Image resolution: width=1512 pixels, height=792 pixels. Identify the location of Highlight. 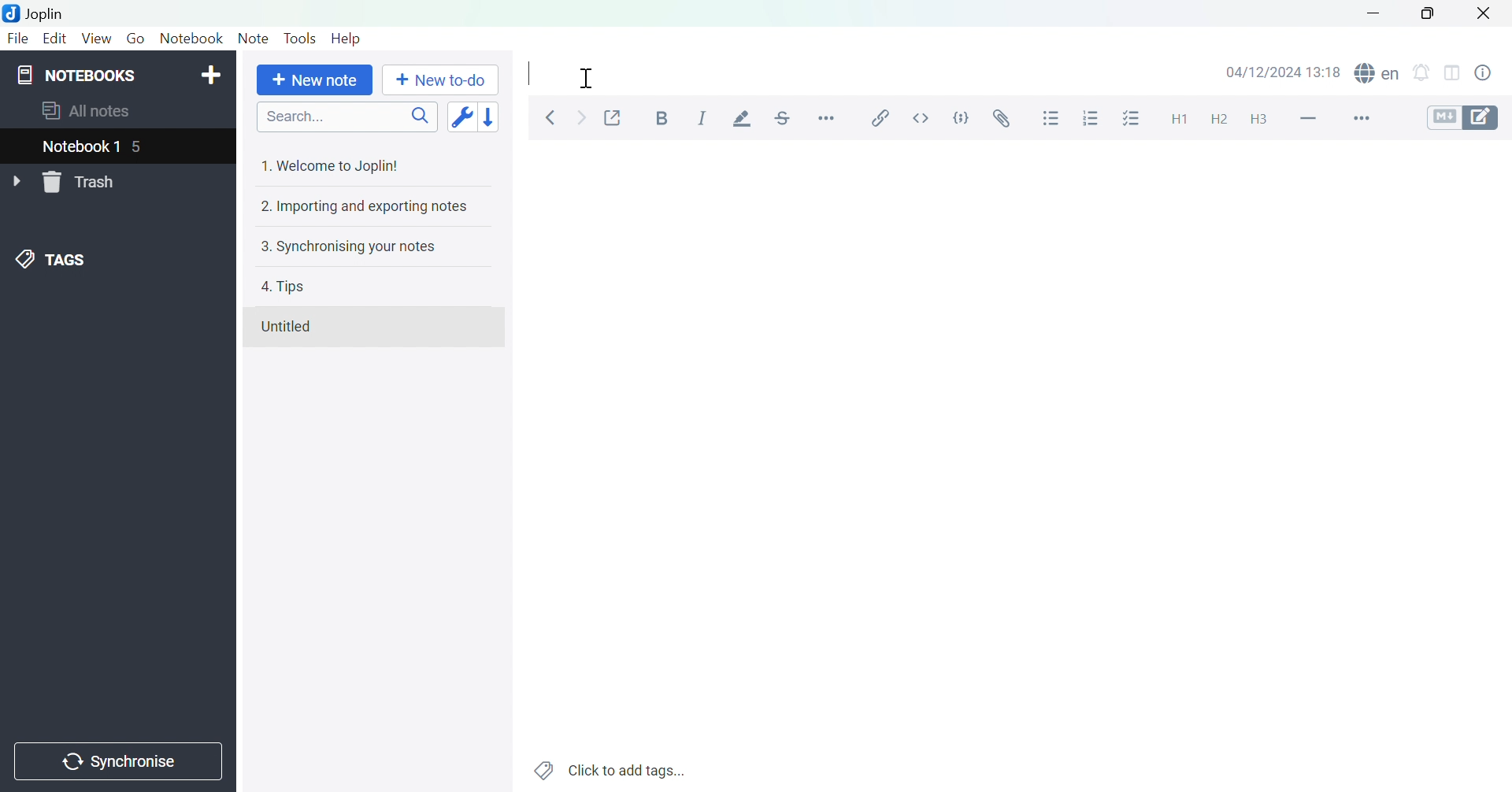
(744, 118).